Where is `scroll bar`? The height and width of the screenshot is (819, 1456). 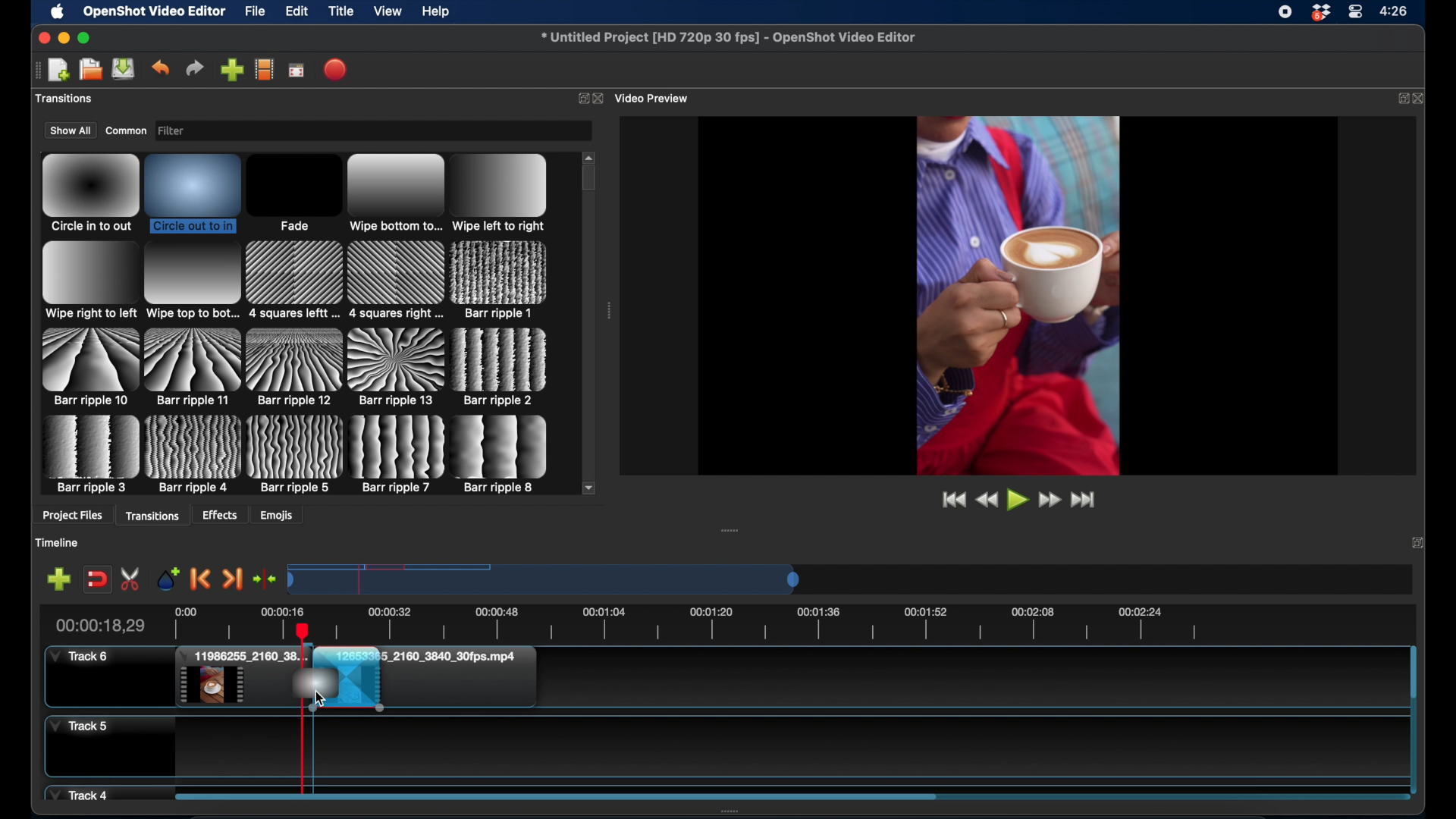 scroll bar is located at coordinates (555, 795).